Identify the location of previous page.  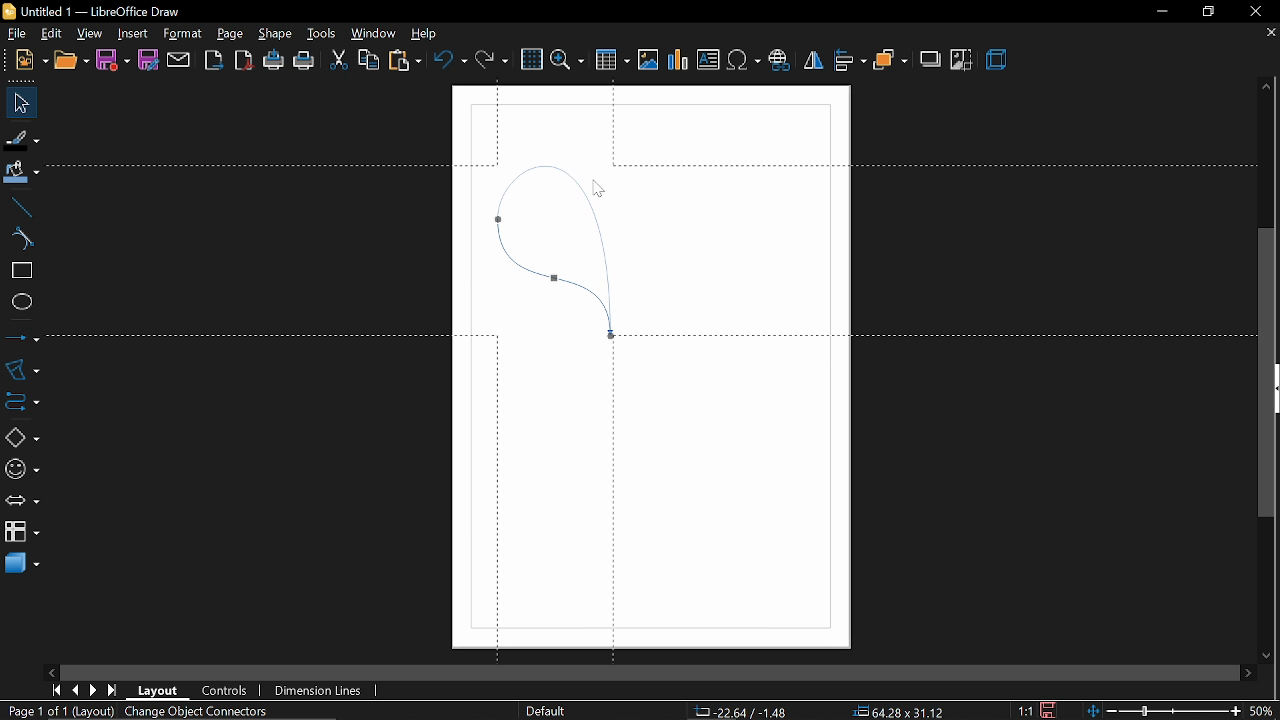
(74, 691).